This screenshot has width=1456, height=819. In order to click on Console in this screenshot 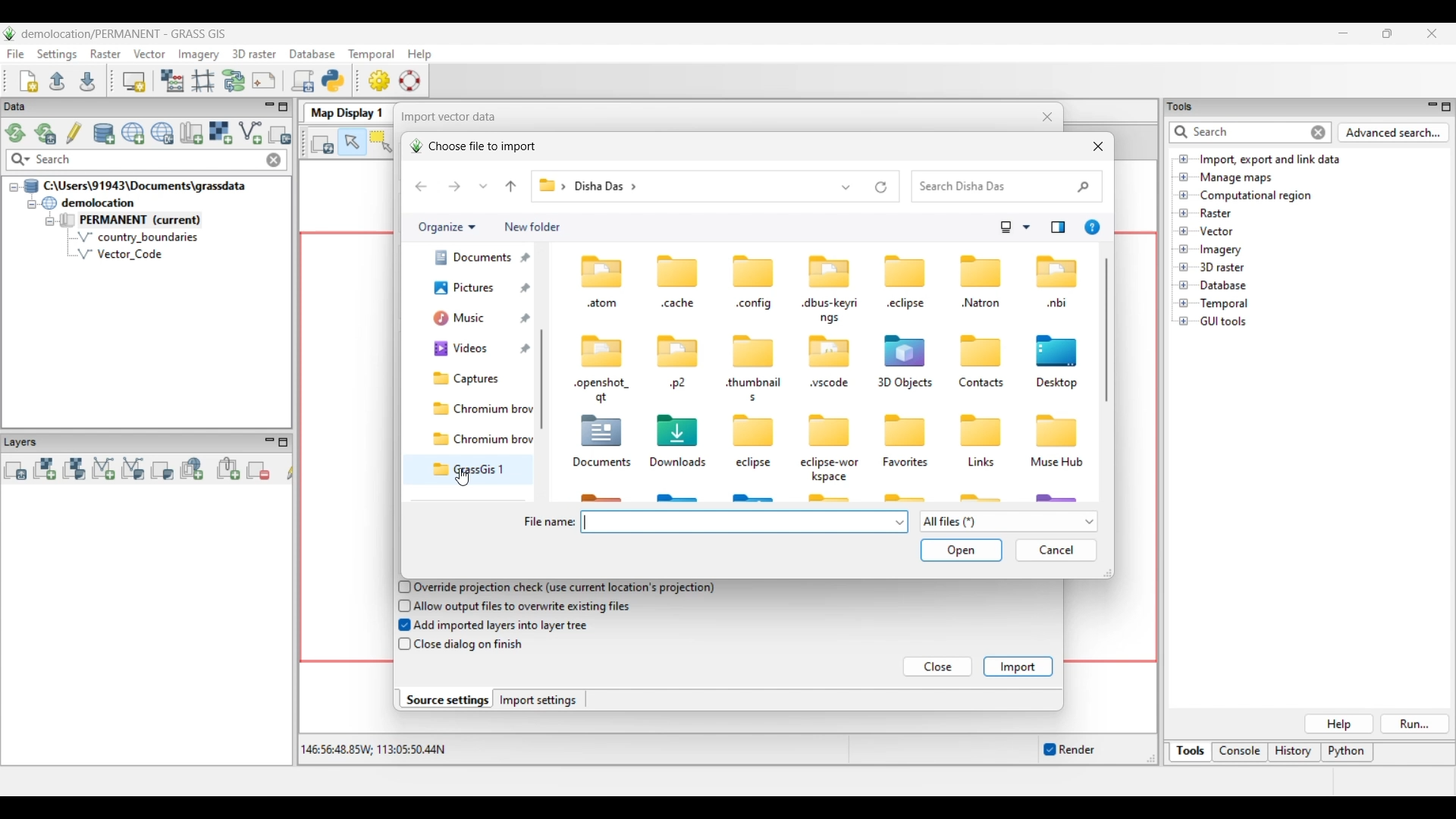, I will do `click(1240, 753)`.